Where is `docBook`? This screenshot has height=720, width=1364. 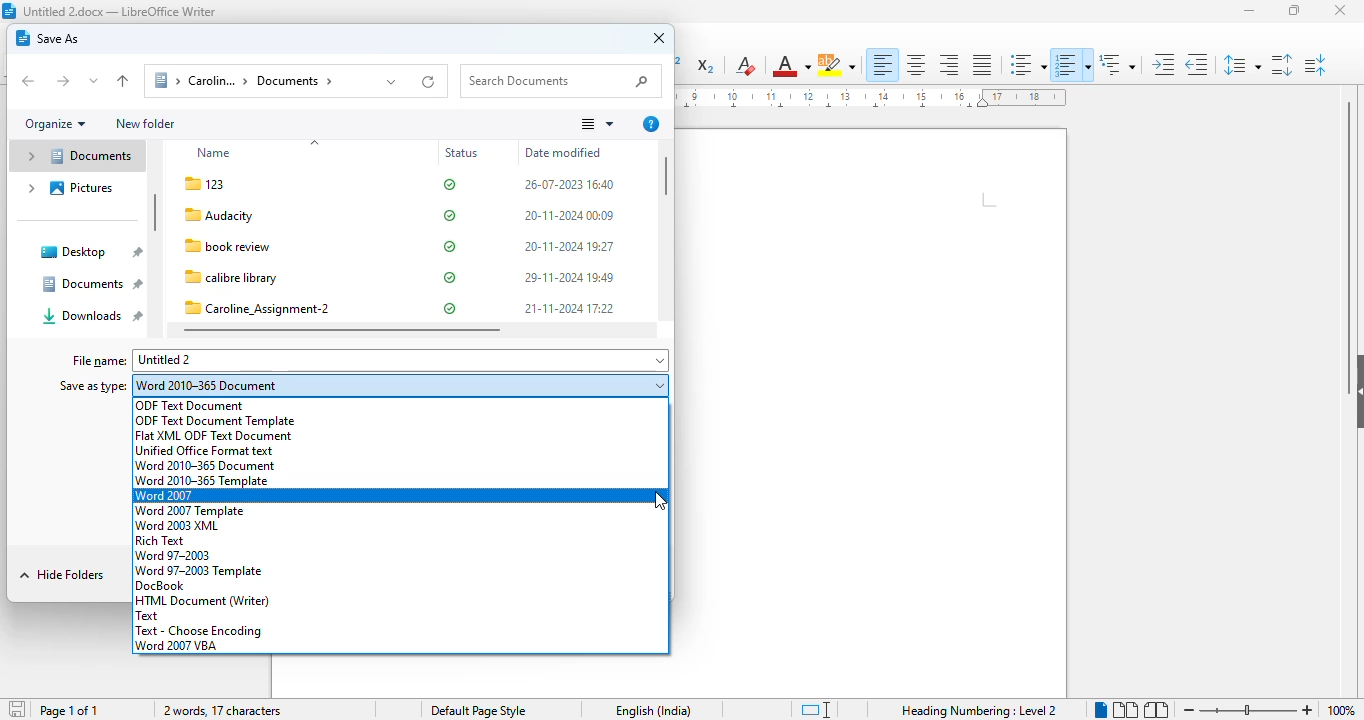
docBook is located at coordinates (163, 587).